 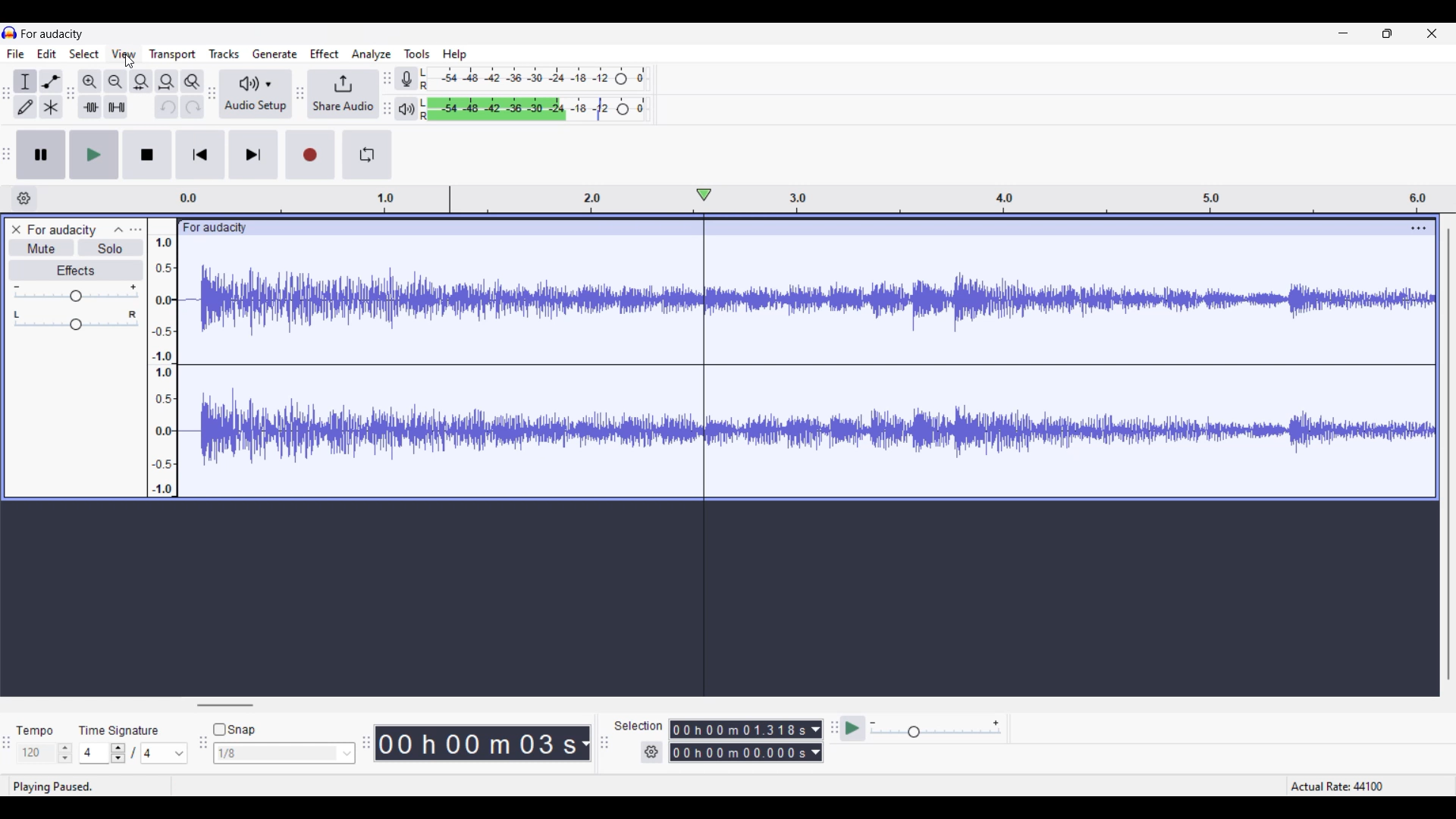 I want to click on Tracks menu, so click(x=224, y=54).